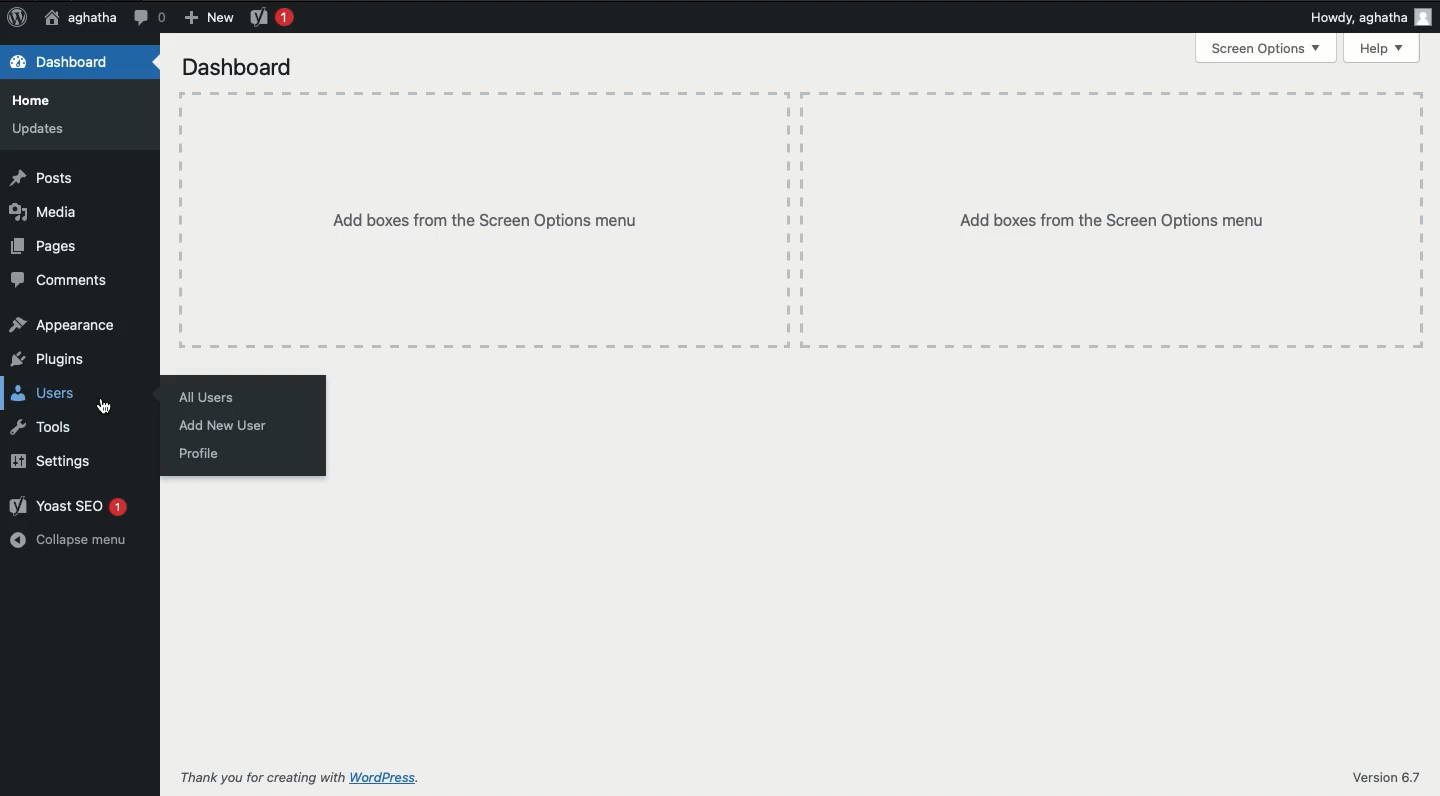 This screenshot has height=796, width=1440. Describe the element at coordinates (270, 16) in the screenshot. I see `Yoast` at that location.